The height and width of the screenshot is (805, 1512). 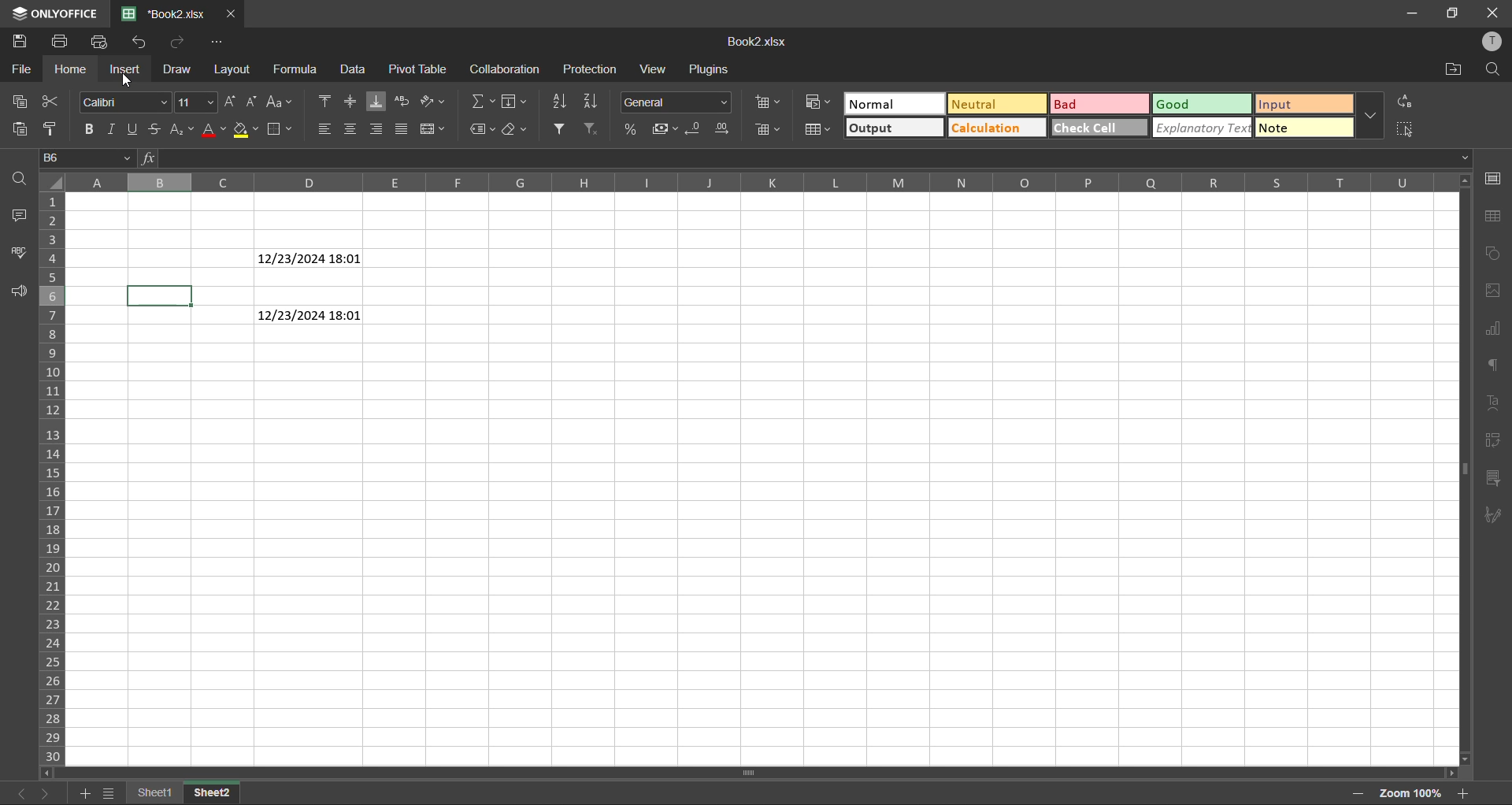 I want to click on formula bar, so click(x=803, y=157).